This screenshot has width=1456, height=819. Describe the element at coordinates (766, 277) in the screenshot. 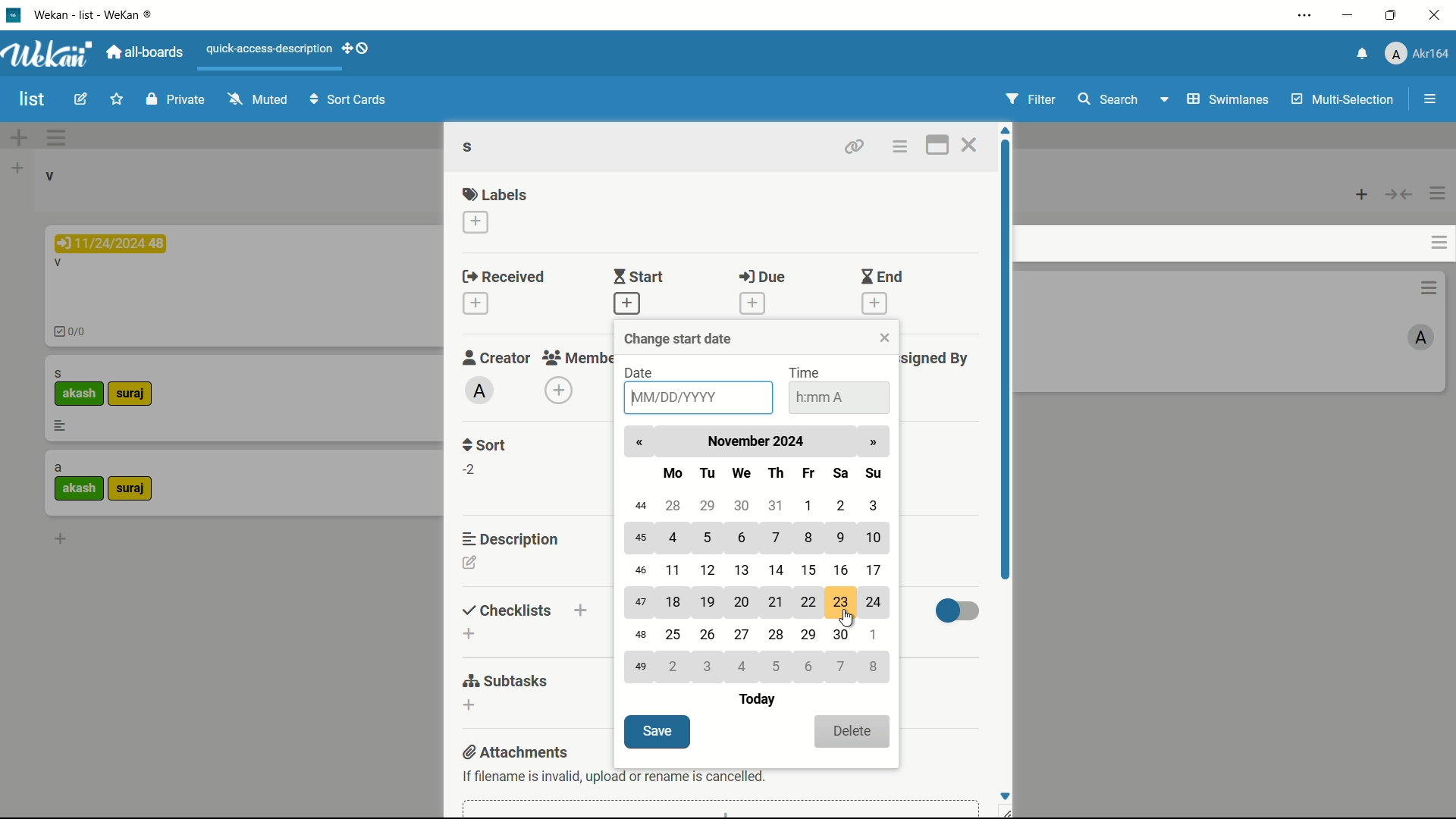

I see `due` at that location.